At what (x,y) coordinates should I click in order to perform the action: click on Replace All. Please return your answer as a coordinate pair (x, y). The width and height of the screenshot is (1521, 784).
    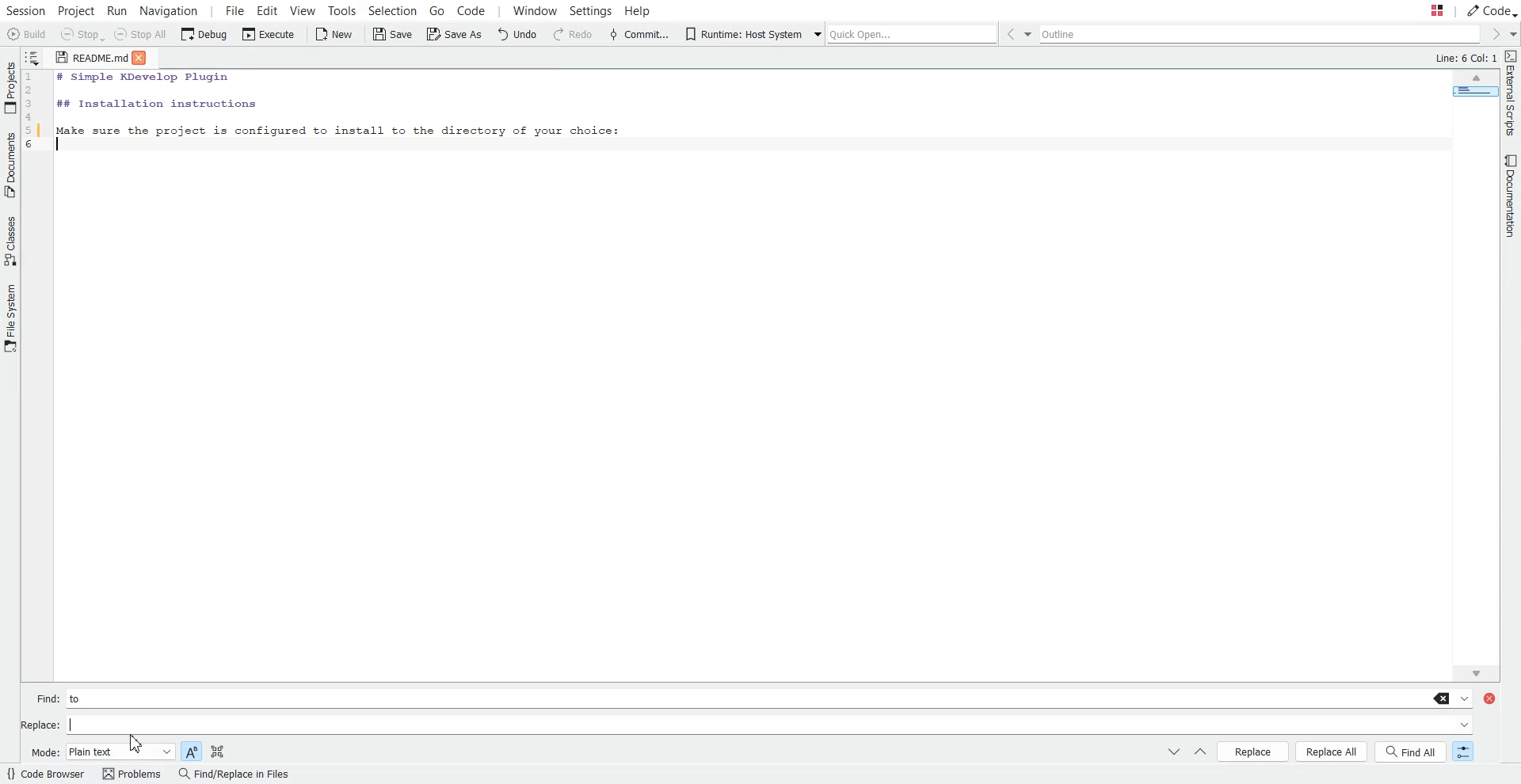
    Looking at the image, I should click on (1332, 752).